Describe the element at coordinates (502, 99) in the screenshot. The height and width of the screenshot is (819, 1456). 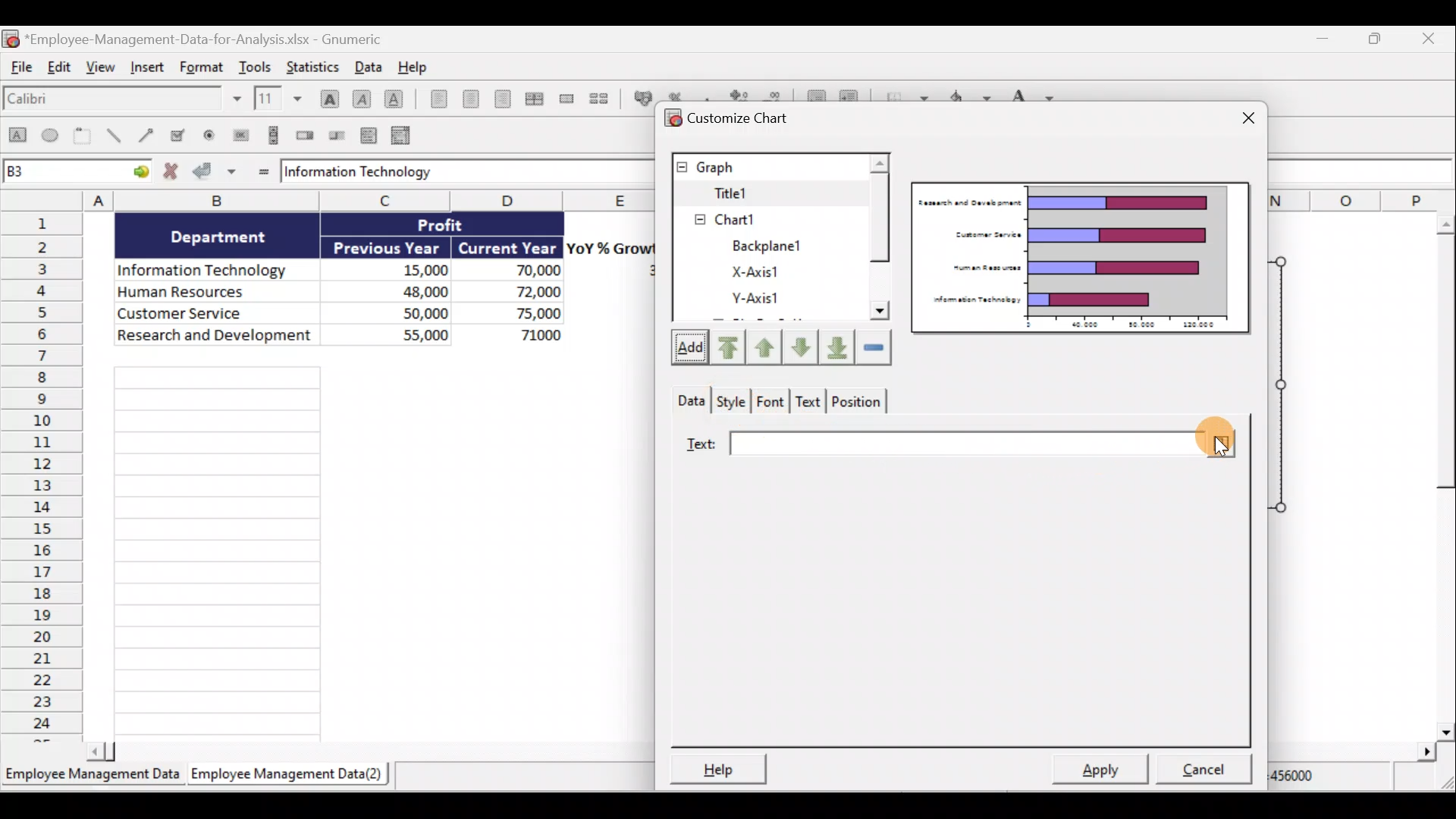
I see `Align right` at that location.